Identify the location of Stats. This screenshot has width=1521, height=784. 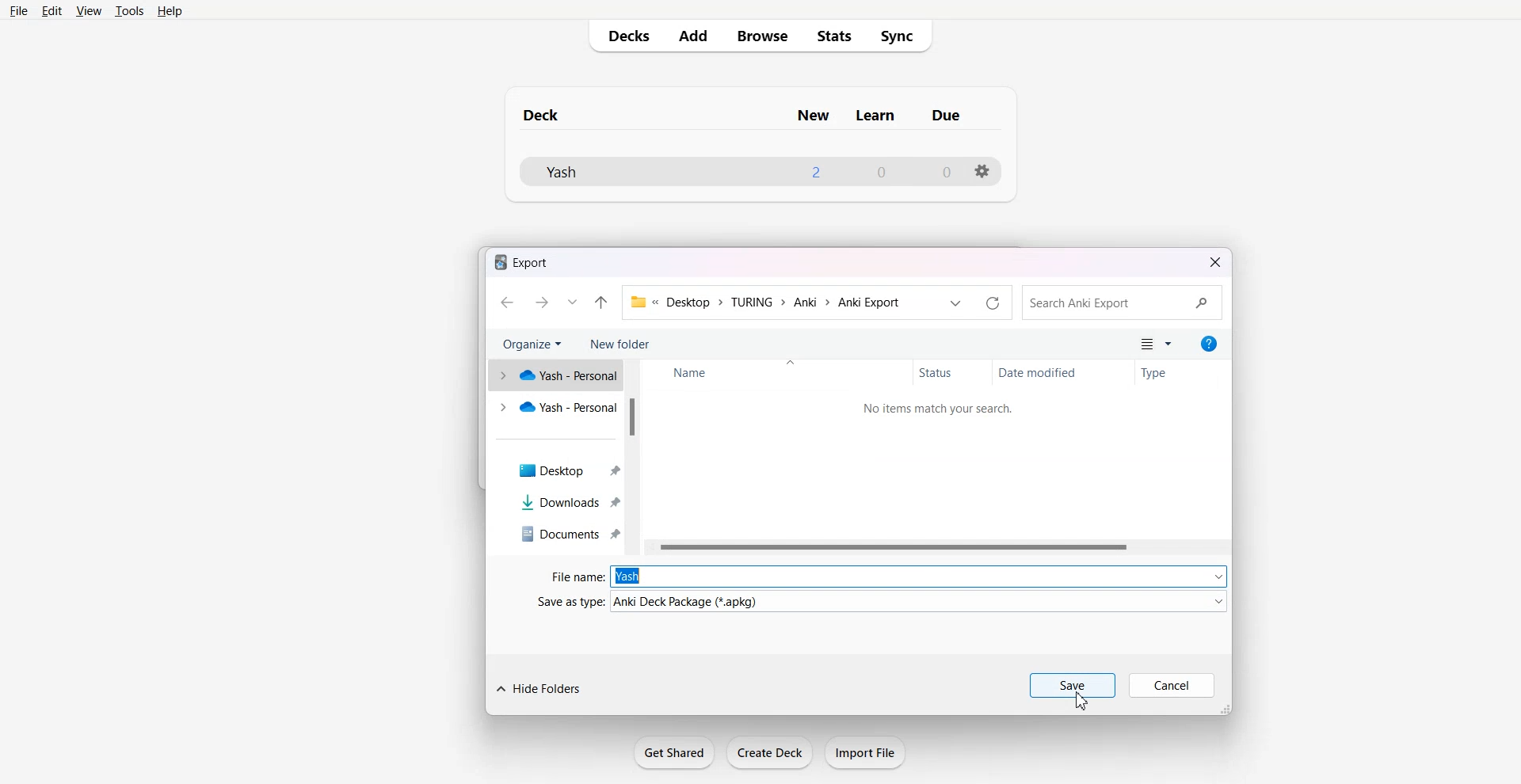
(835, 36).